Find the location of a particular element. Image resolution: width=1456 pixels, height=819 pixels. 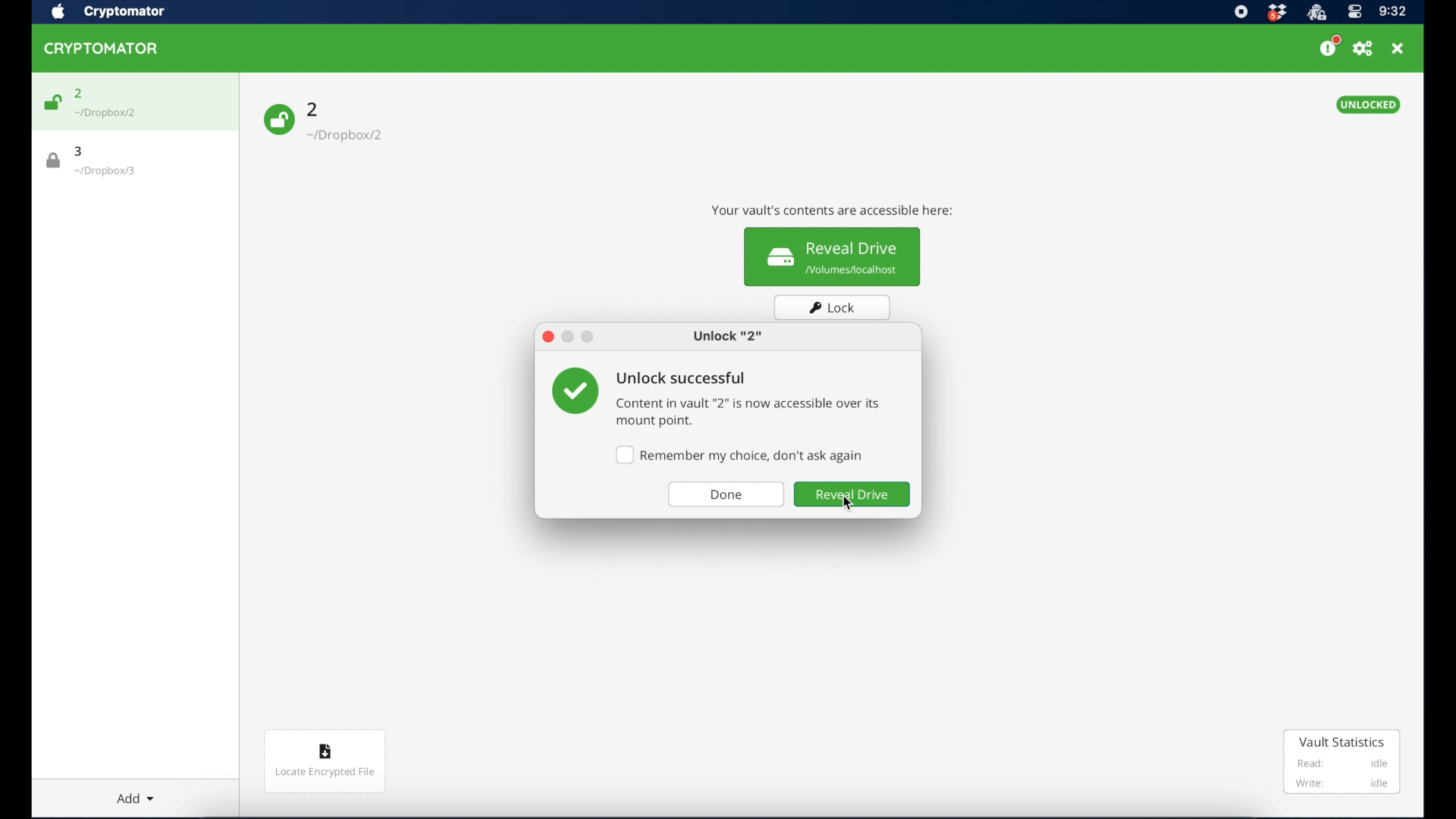

close is located at coordinates (548, 337).